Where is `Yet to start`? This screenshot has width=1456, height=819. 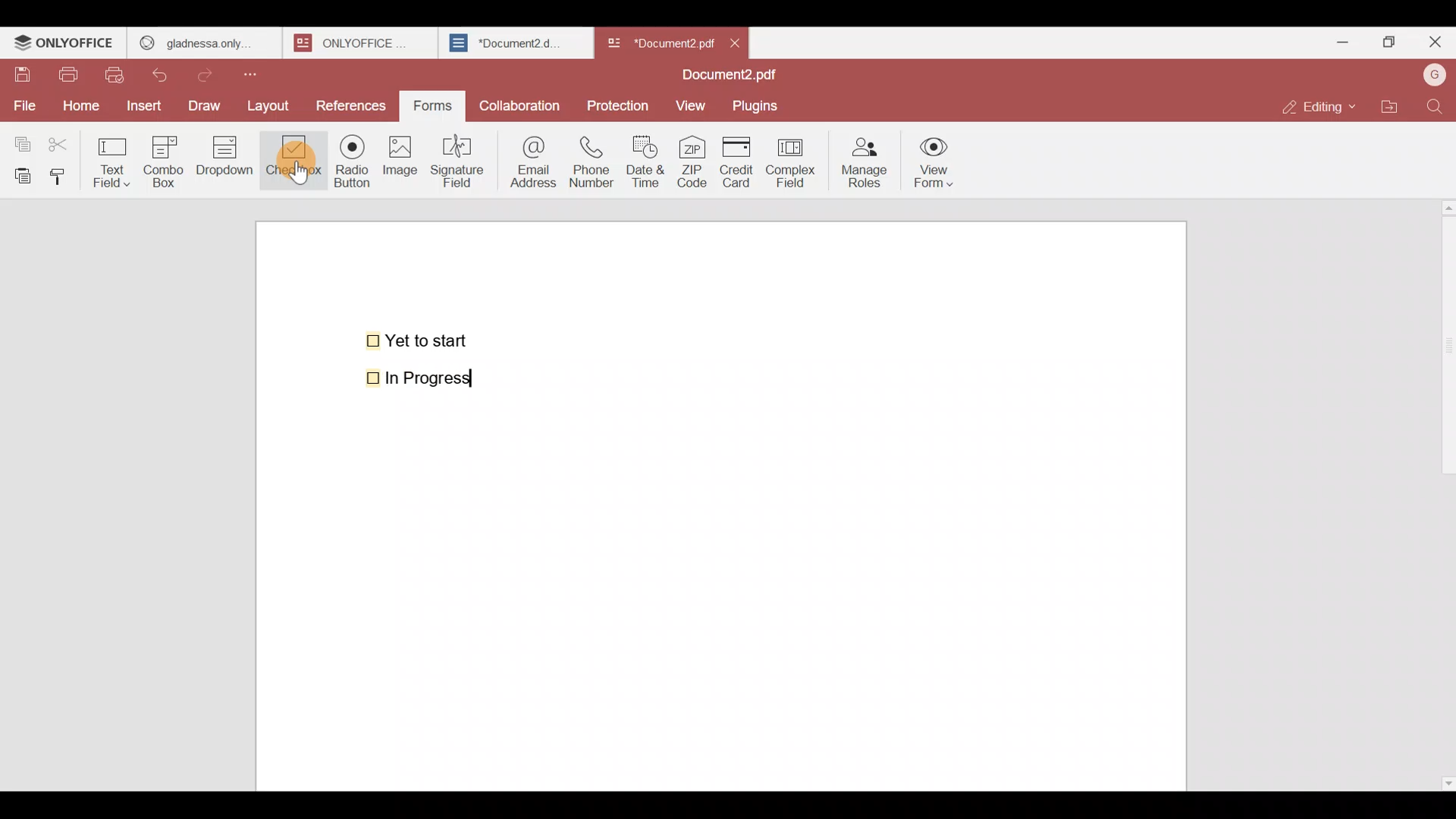
Yet to start is located at coordinates (420, 339).